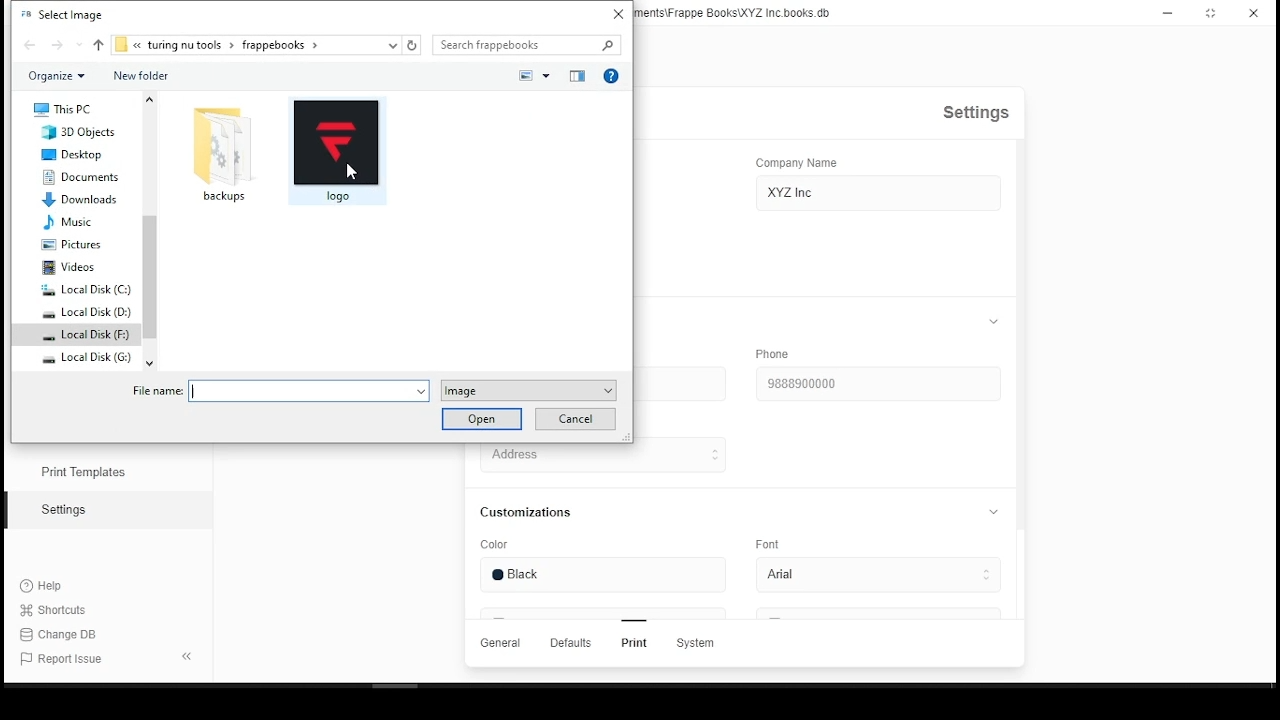 Image resolution: width=1280 pixels, height=720 pixels. I want to click on mouse pointer, so click(351, 171).